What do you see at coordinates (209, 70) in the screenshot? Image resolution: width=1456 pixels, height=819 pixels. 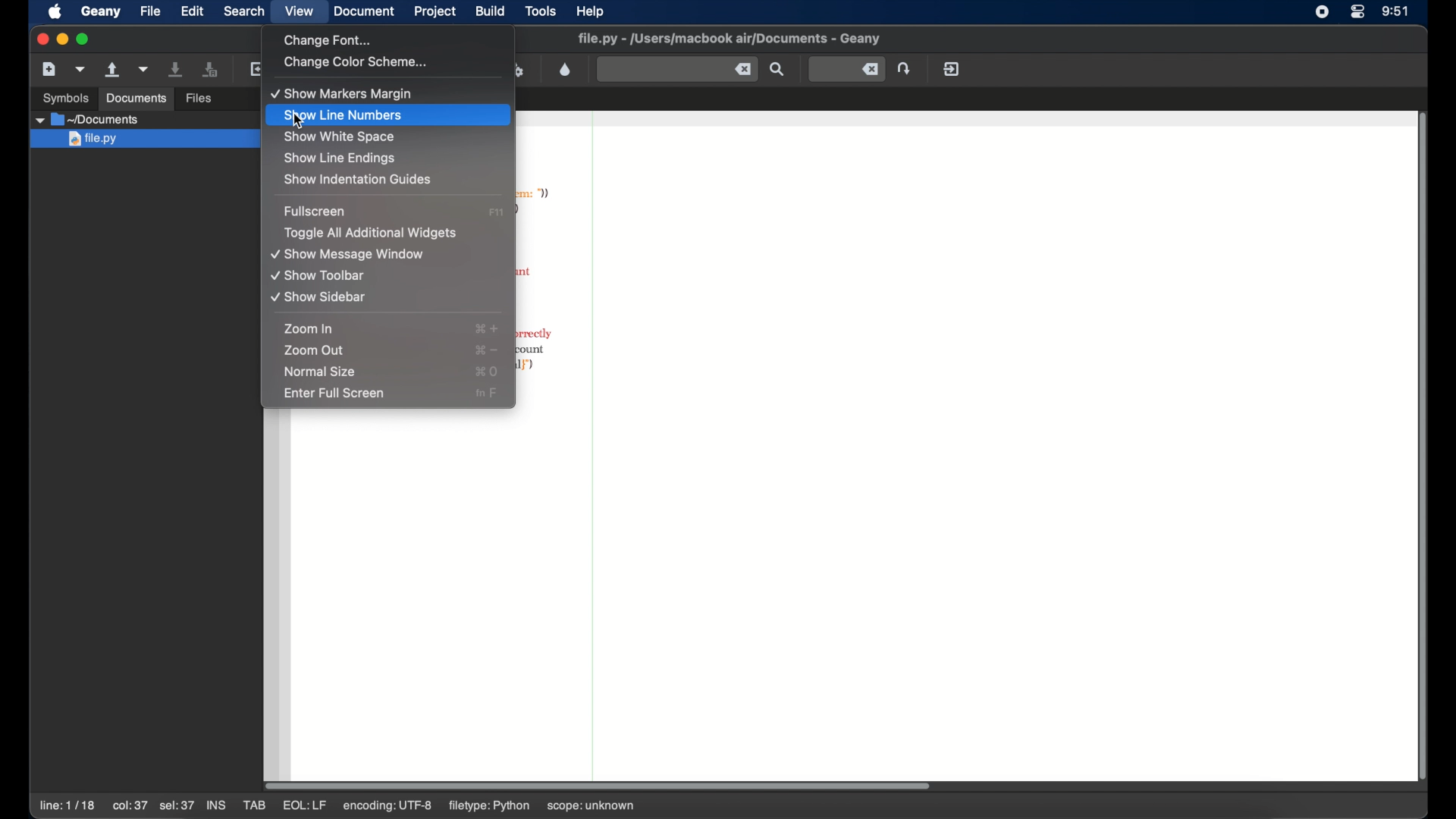 I see `save all open files` at bounding box center [209, 70].